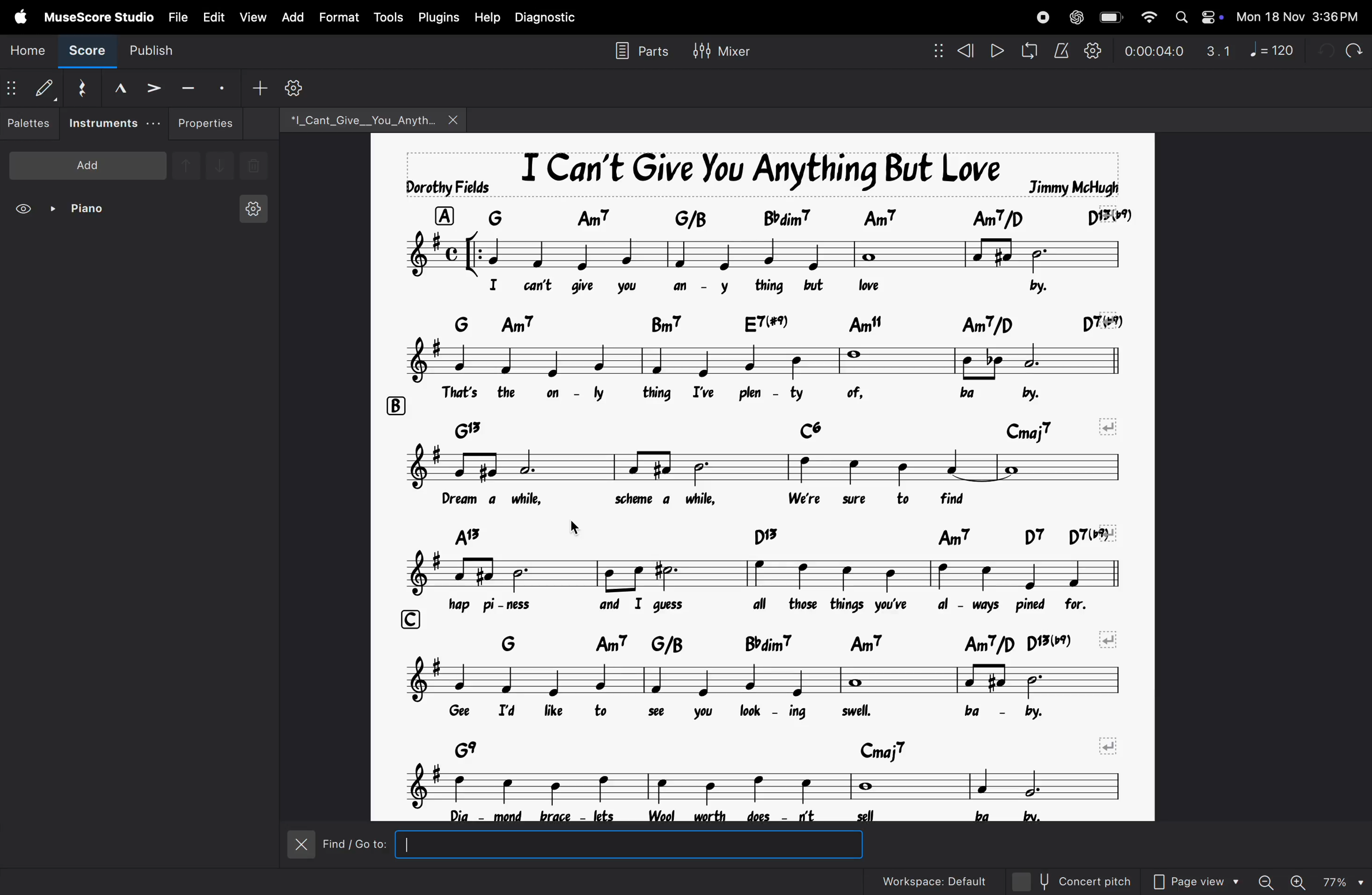  What do you see at coordinates (1069, 881) in the screenshot?
I see `concert pitch` at bounding box center [1069, 881].